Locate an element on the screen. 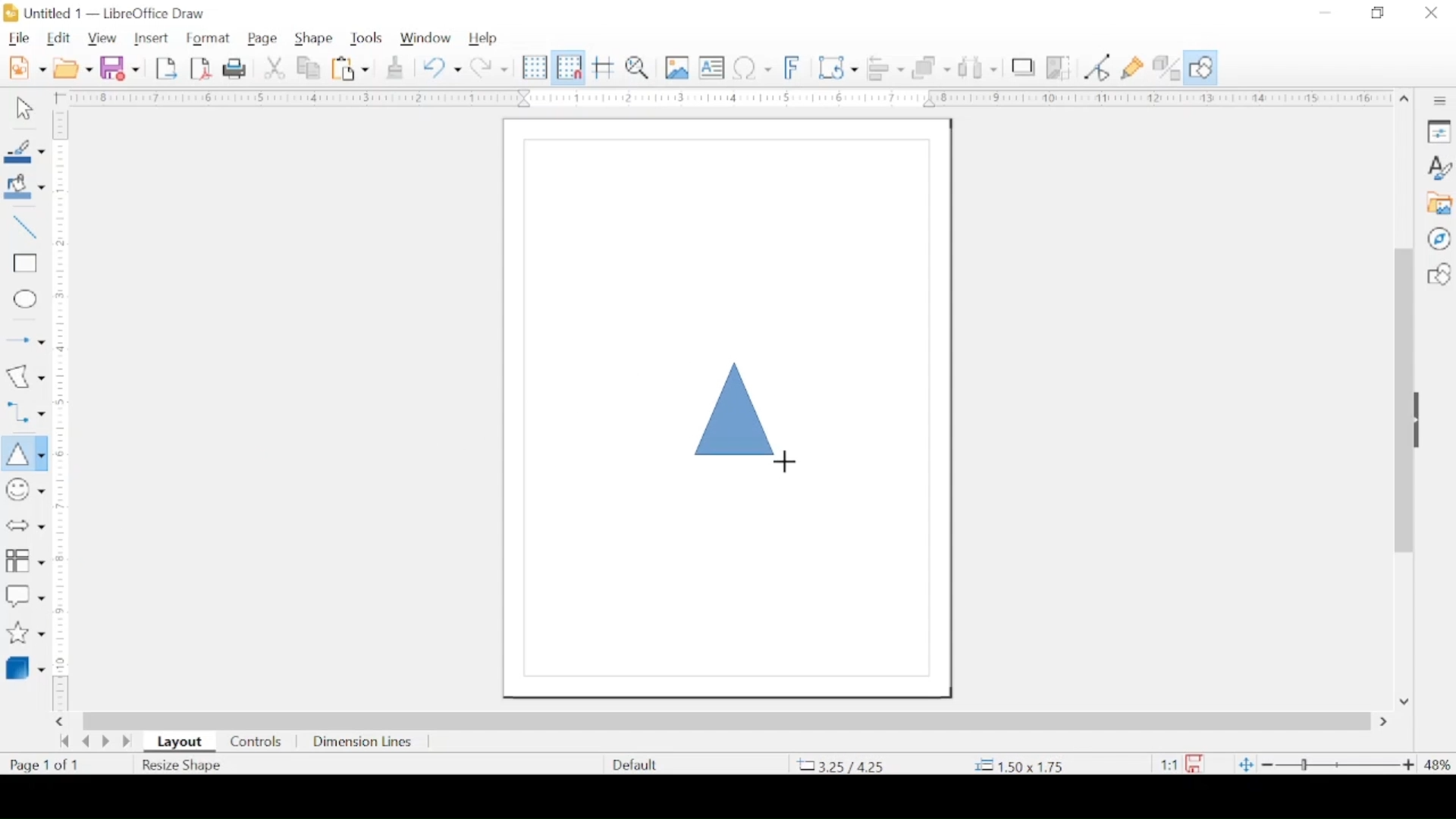 The width and height of the screenshot is (1456, 819). show at least three objects to distribute is located at coordinates (978, 68).